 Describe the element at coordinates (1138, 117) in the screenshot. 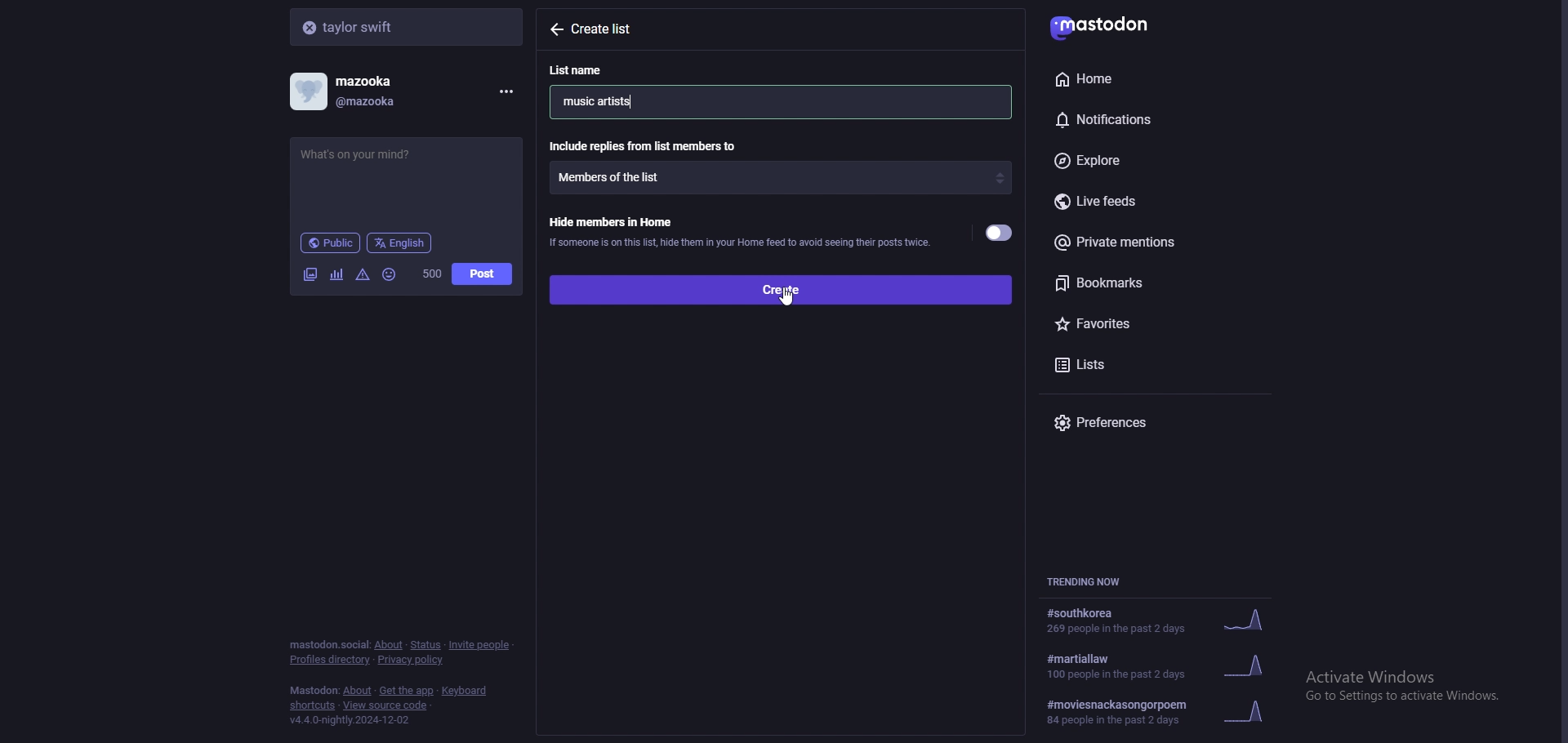

I see `notifications` at that location.